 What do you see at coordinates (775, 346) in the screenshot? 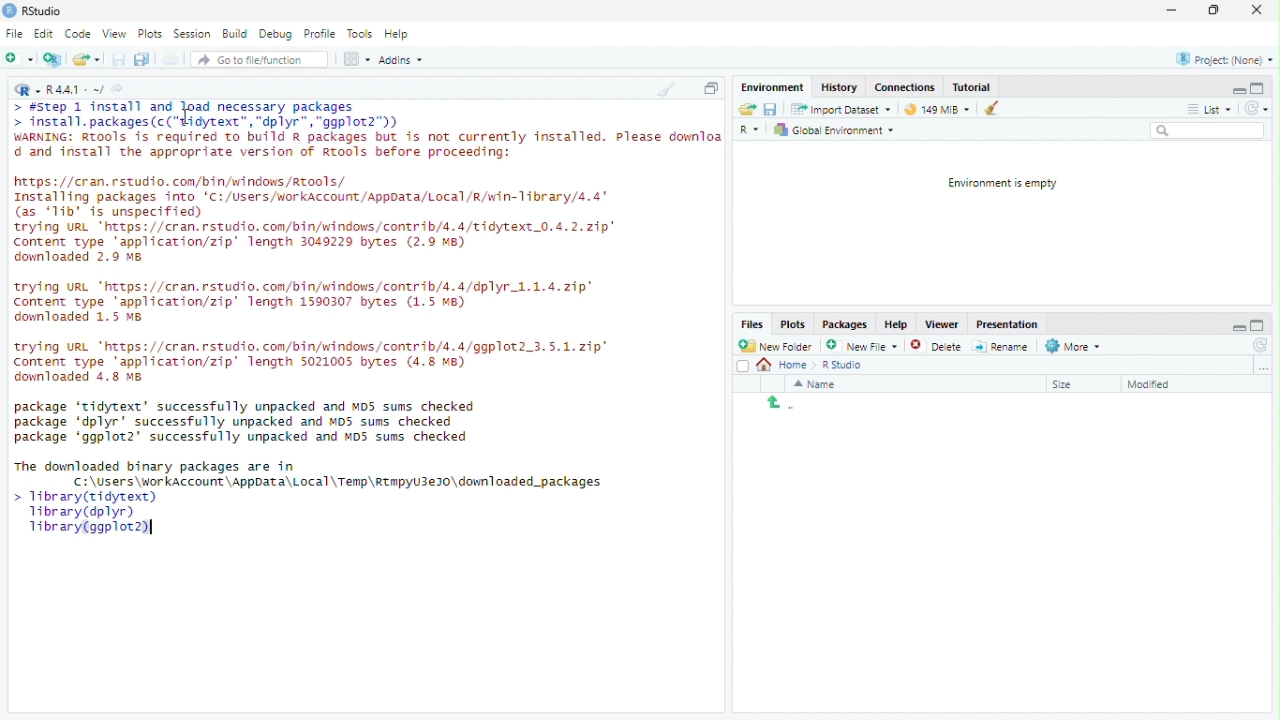
I see `New Folder` at bounding box center [775, 346].